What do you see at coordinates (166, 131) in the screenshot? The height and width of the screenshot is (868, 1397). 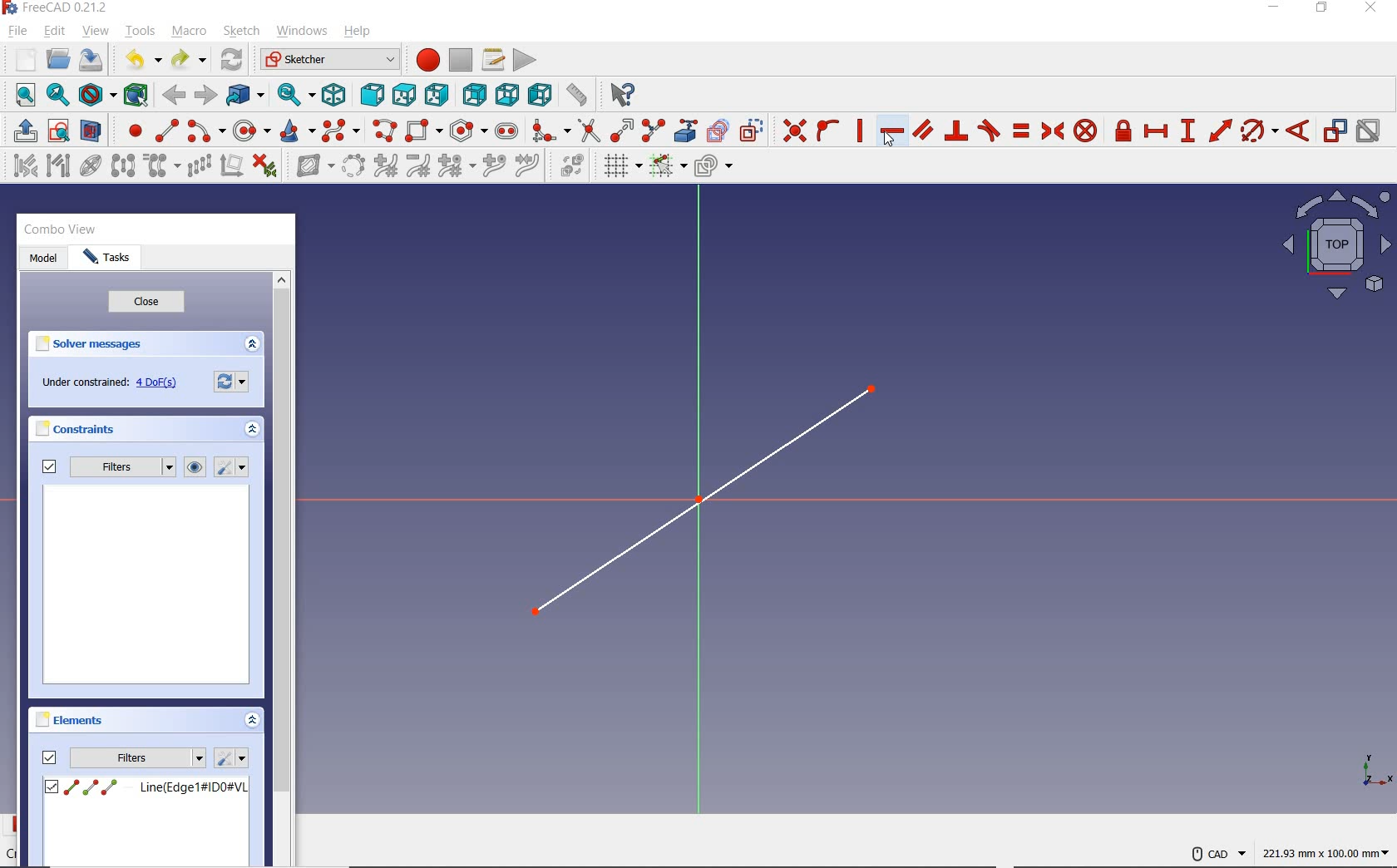 I see `CREATE LINE` at bounding box center [166, 131].